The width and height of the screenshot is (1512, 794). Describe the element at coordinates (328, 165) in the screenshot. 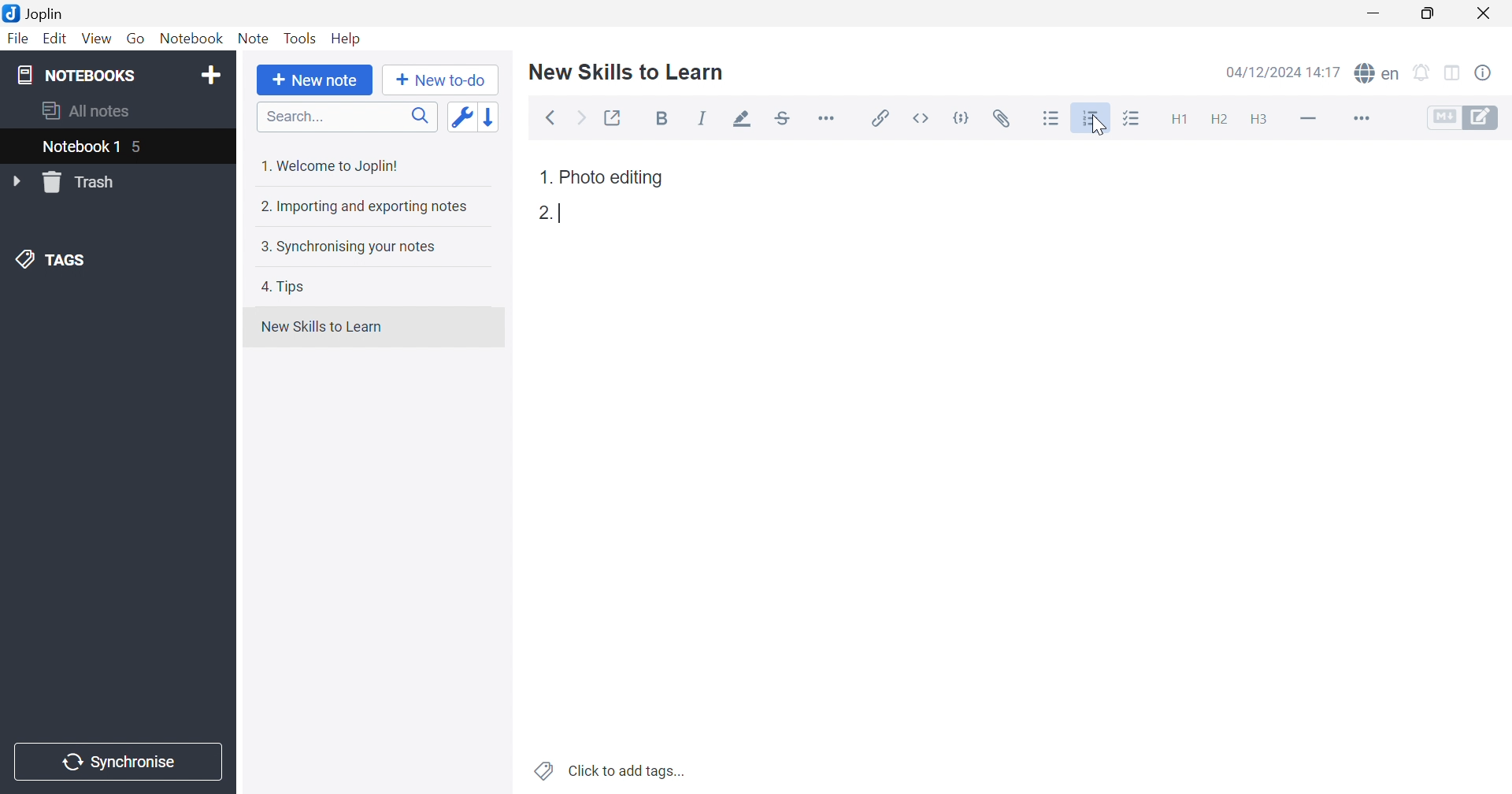

I see `1. Welcome to Joplin` at that location.